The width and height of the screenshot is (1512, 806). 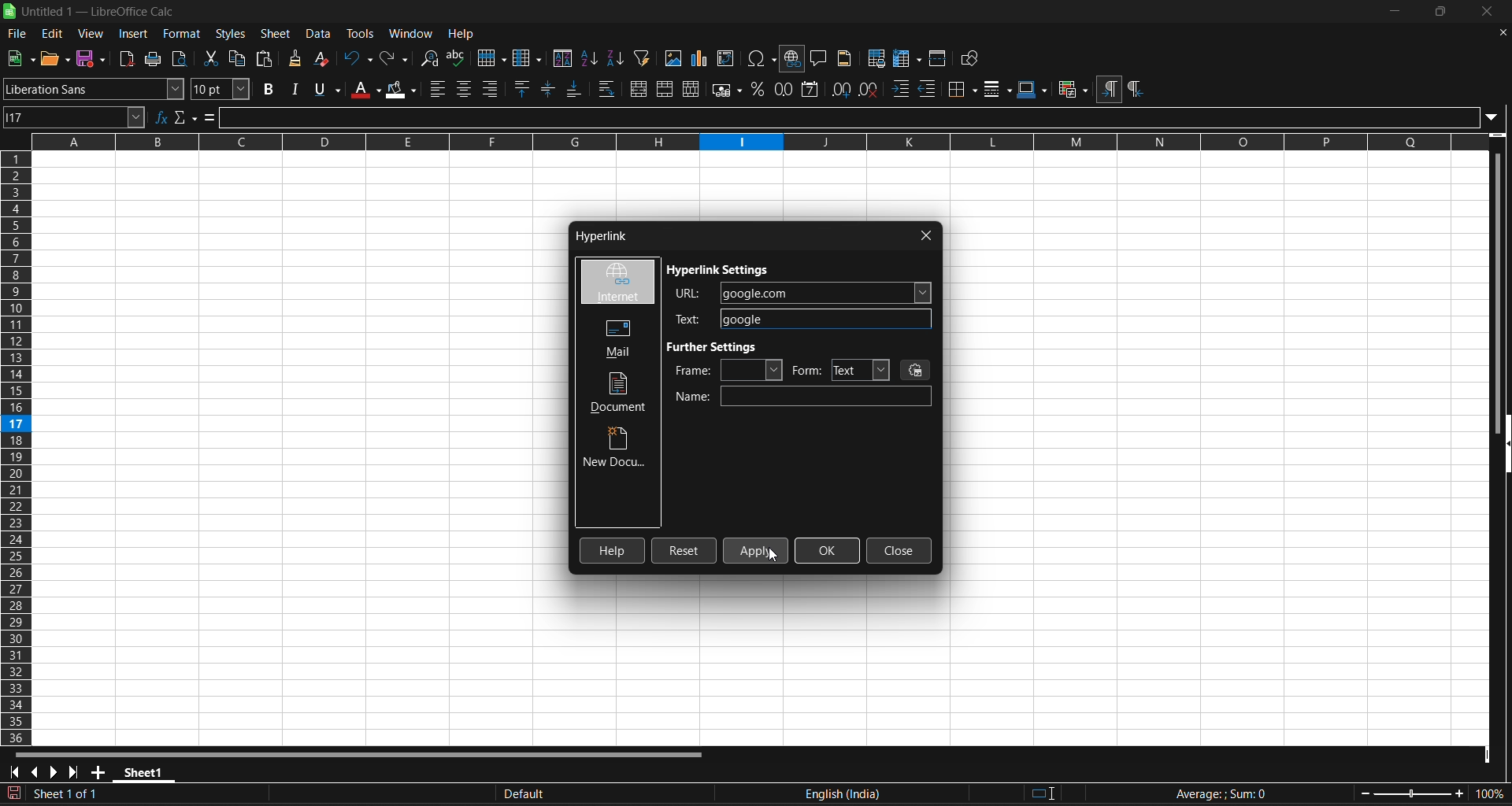 I want to click on align center, so click(x=465, y=89).